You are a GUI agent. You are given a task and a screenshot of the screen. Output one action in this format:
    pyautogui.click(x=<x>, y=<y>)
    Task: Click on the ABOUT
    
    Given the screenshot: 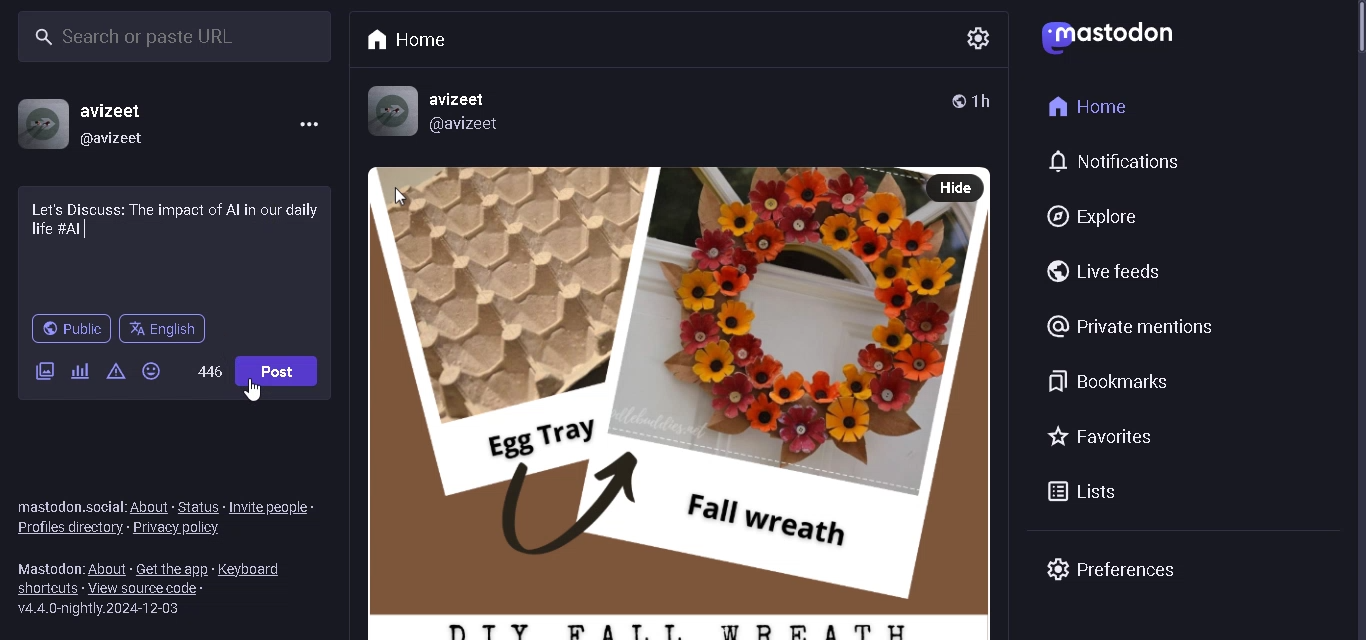 What is the action you would take?
    pyautogui.click(x=149, y=506)
    